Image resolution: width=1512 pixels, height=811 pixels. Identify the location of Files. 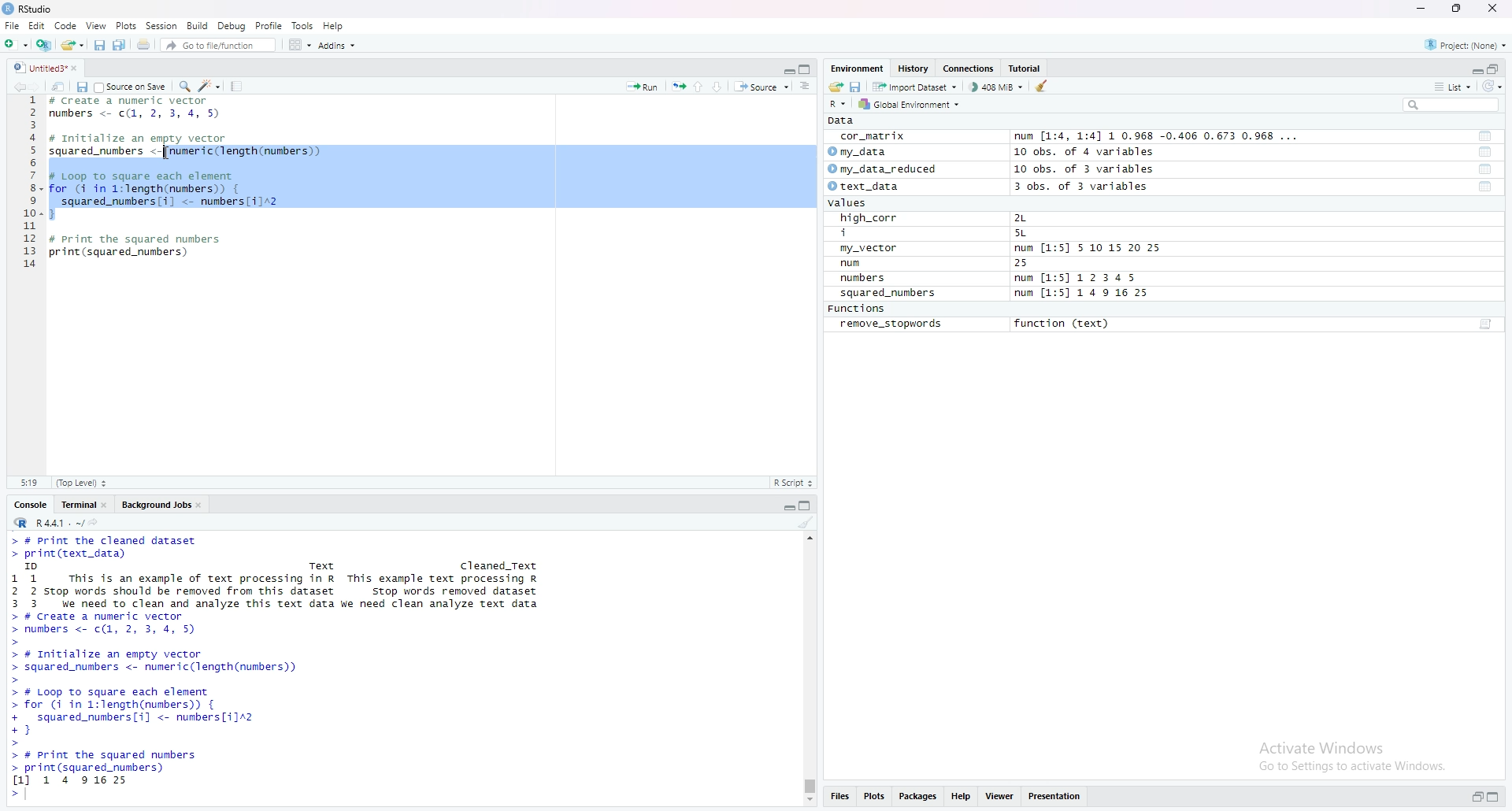
(839, 798).